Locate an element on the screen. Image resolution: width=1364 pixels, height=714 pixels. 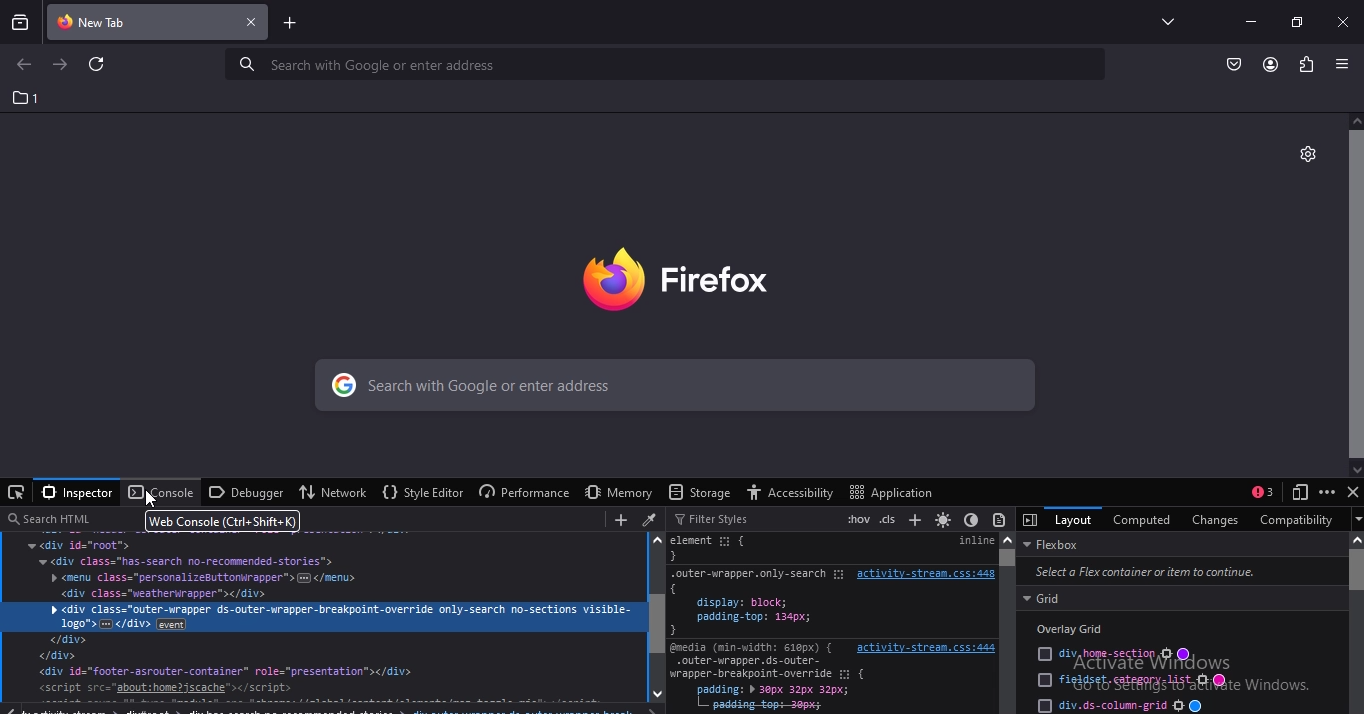
go to previous page is located at coordinates (21, 67).